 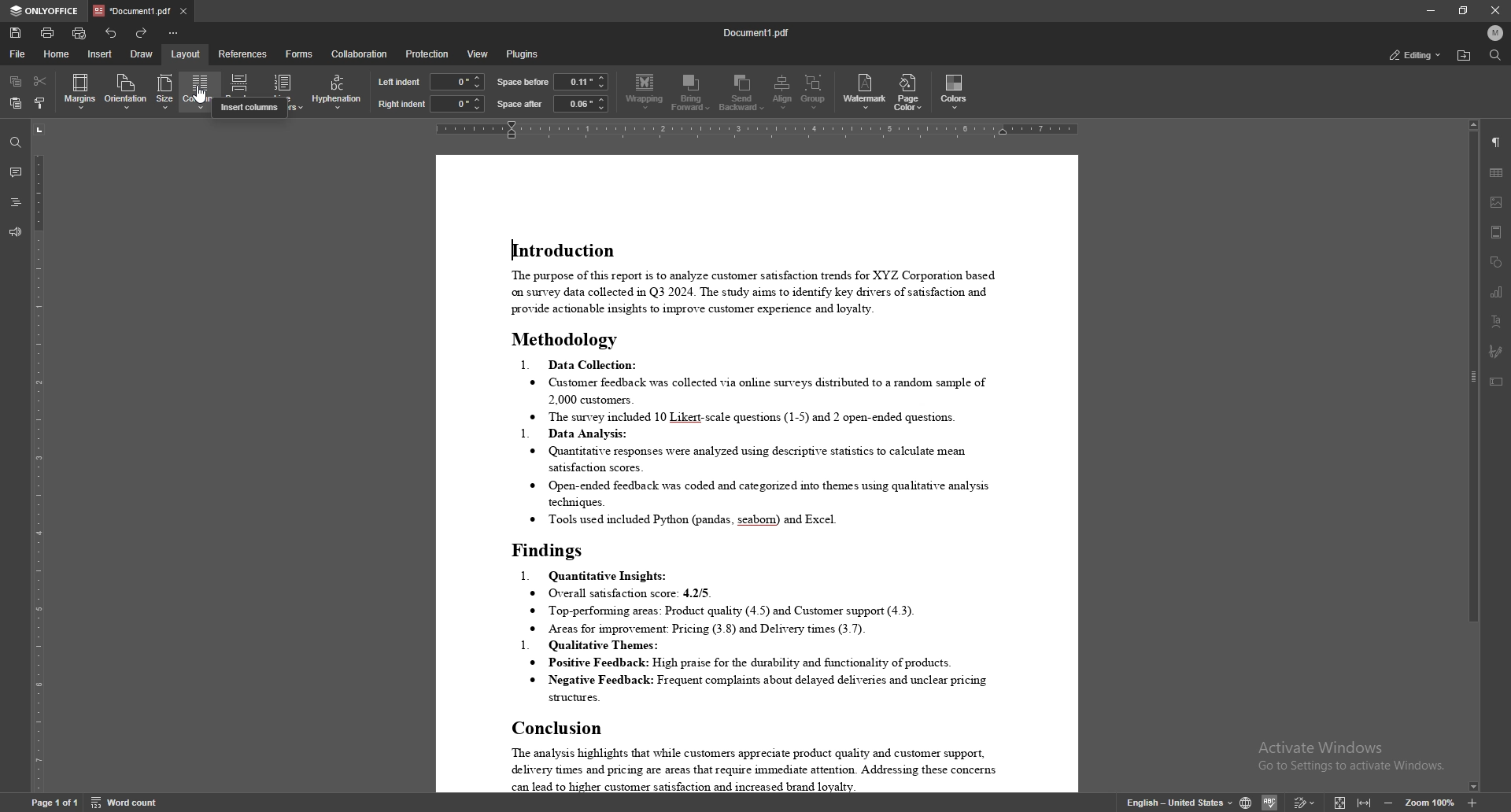 I want to click on paragraph, so click(x=1497, y=142).